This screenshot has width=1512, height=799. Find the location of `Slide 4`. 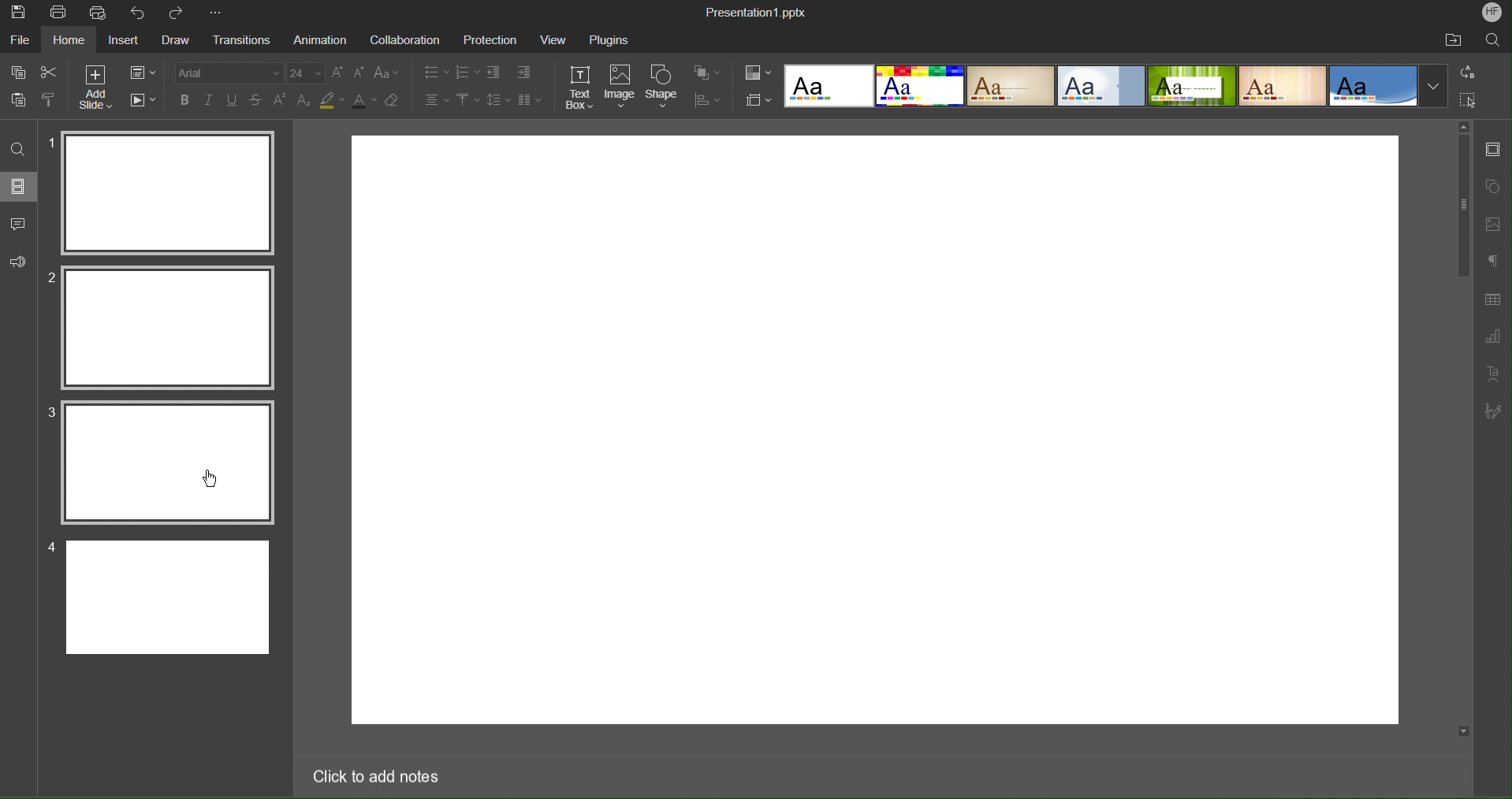

Slide 4 is located at coordinates (168, 597).